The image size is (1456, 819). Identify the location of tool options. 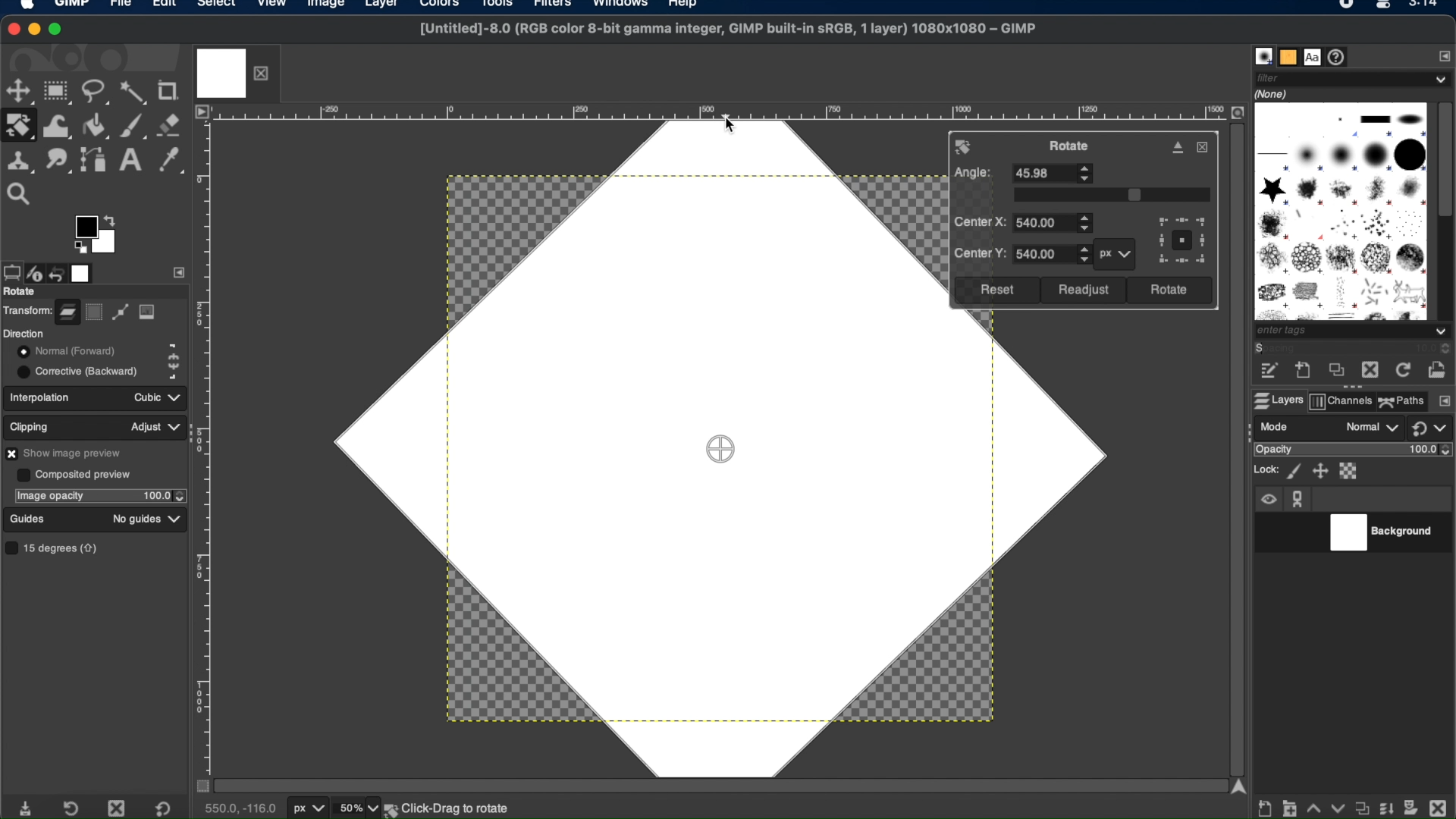
(11, 271).